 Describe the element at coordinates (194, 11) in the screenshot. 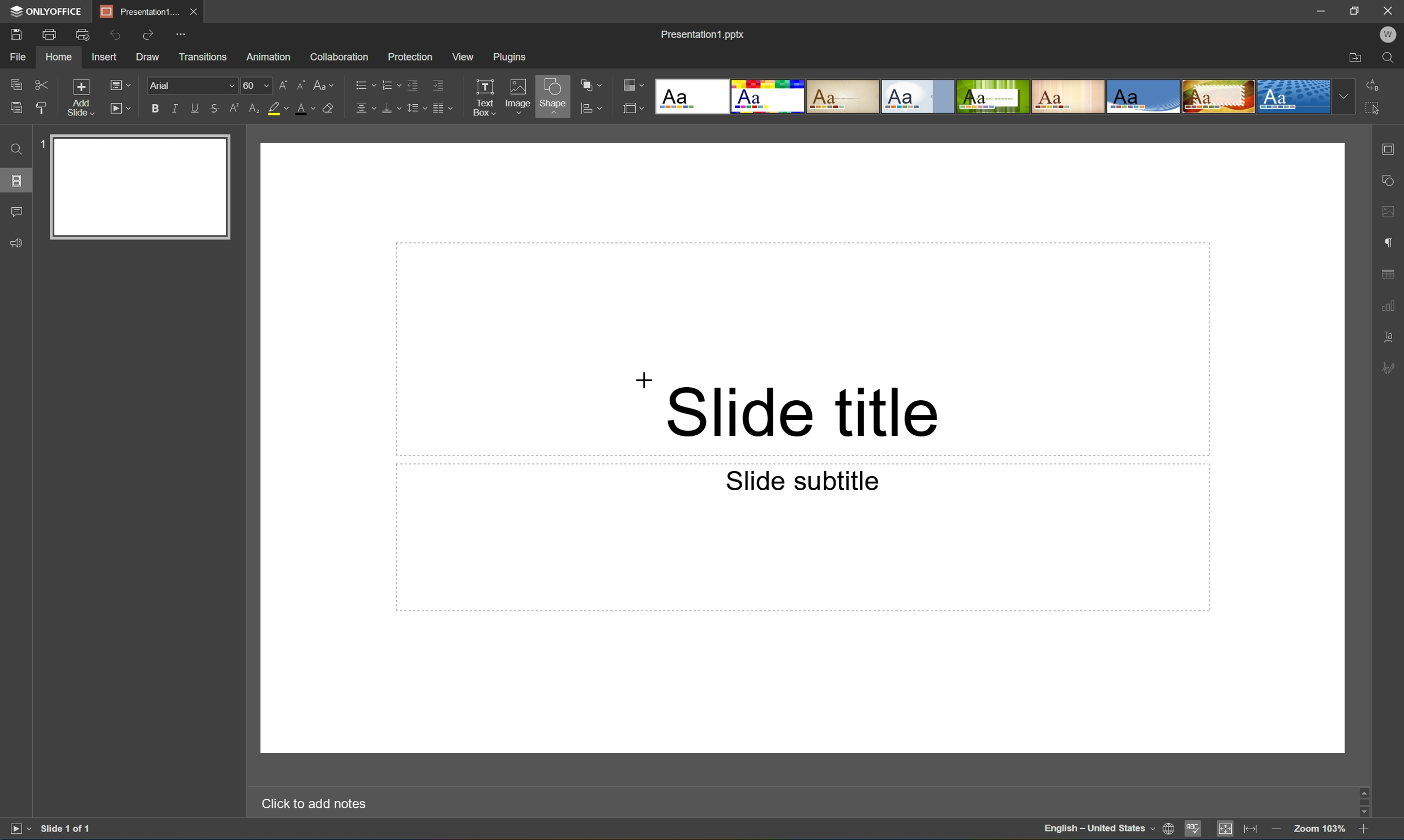

I see `Close` at that location.